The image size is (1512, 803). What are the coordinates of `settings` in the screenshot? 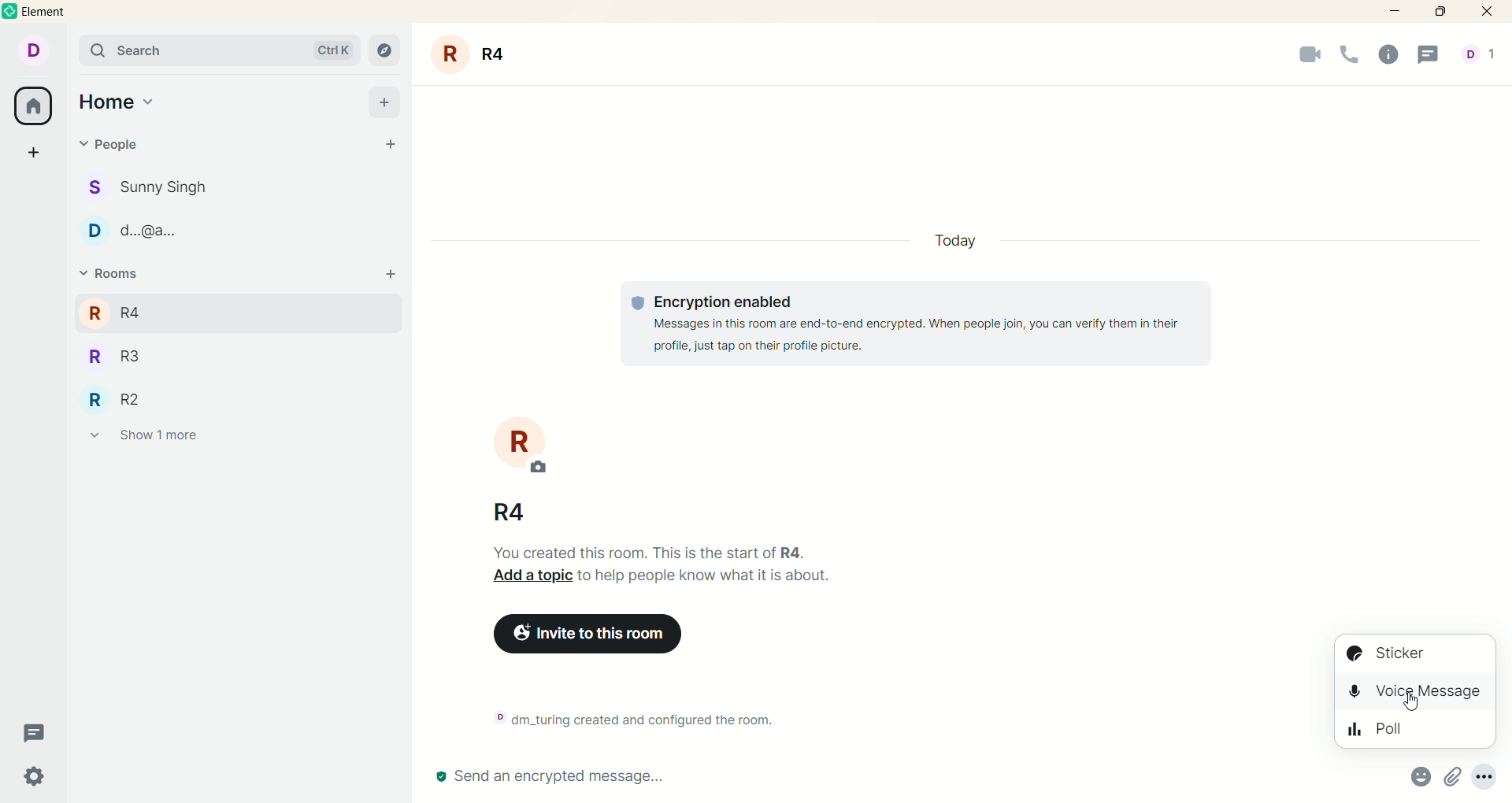 It's located at (35, 777).